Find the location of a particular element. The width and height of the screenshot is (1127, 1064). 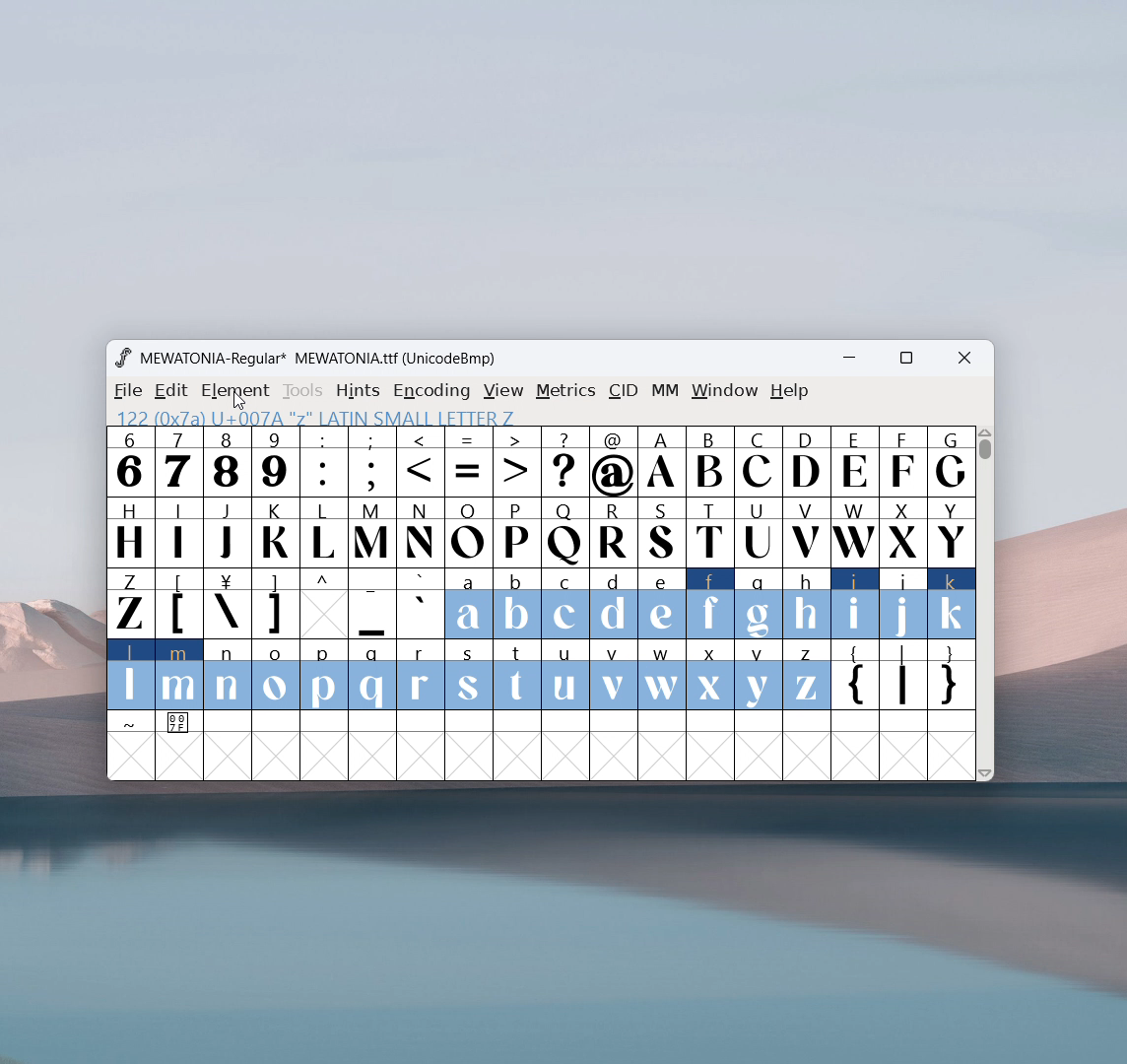

Q is located at coordinates (564, 534).